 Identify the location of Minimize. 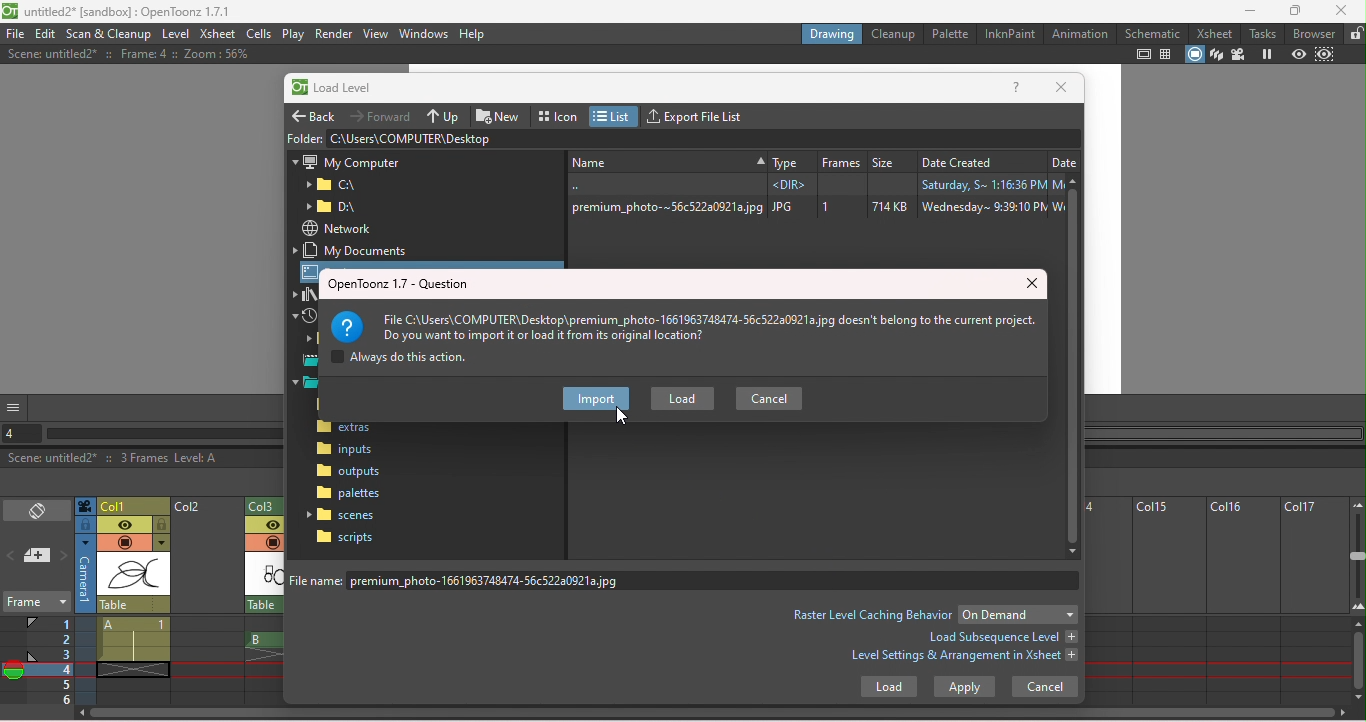
(1250, 10).